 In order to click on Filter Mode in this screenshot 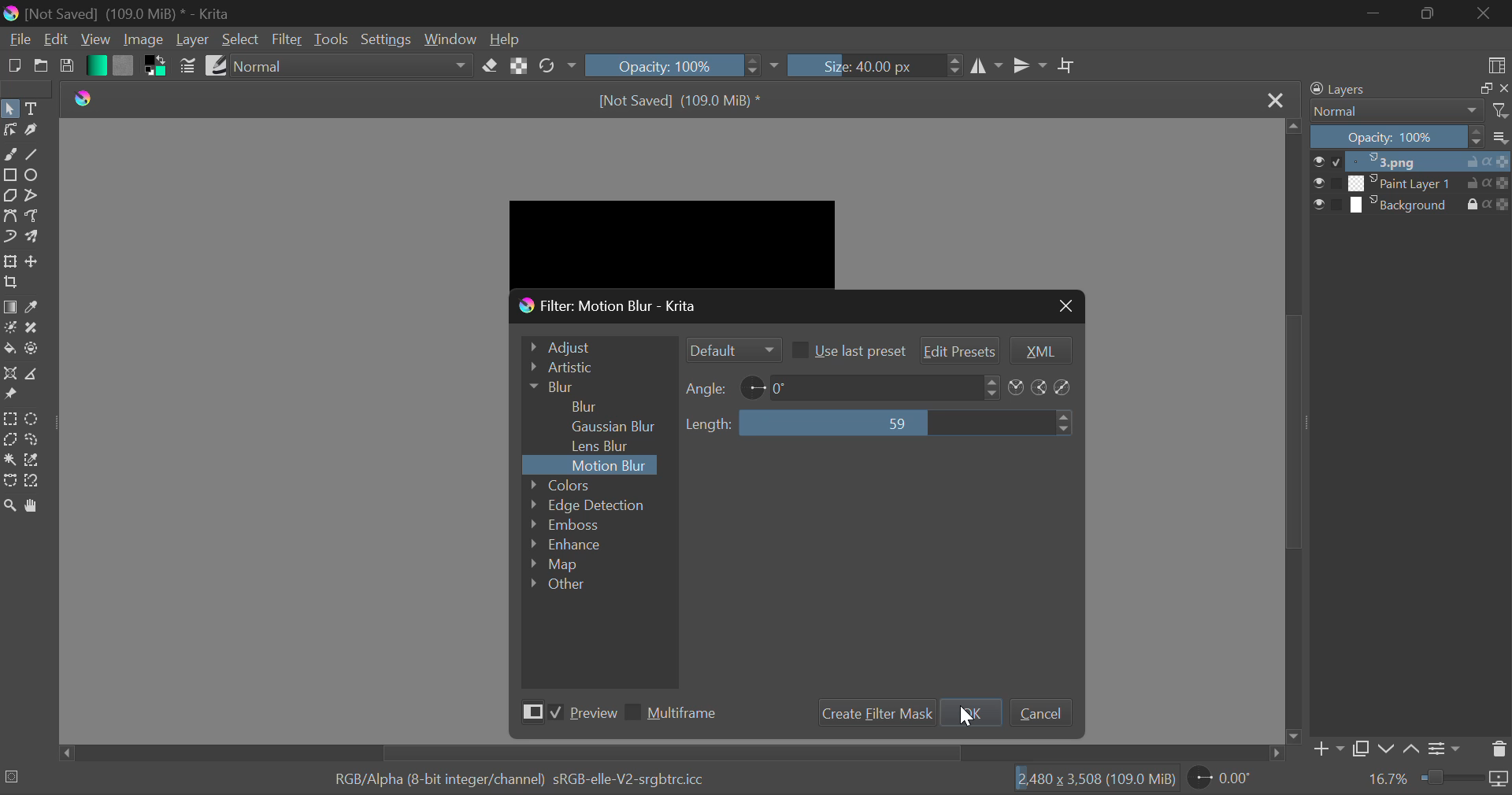, I will do `click(732, 349)`.